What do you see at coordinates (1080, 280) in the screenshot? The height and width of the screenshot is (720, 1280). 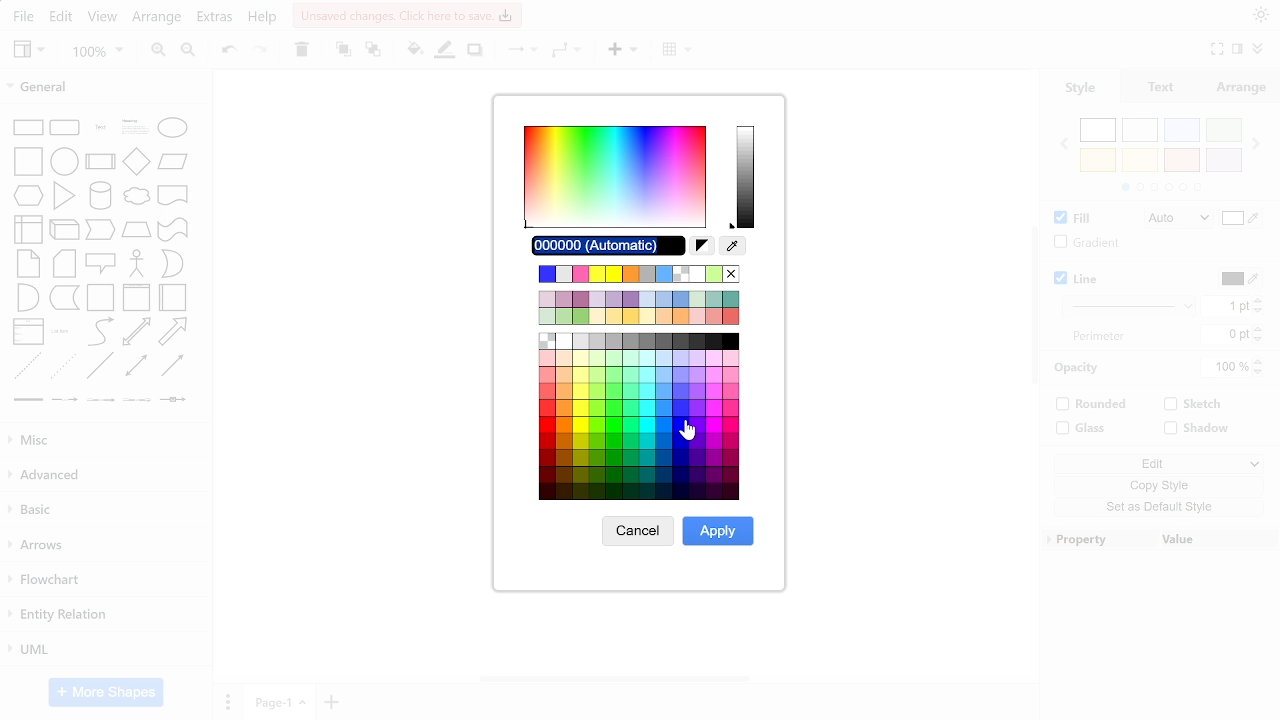 I see `line` at bounding box center [1080, 280].